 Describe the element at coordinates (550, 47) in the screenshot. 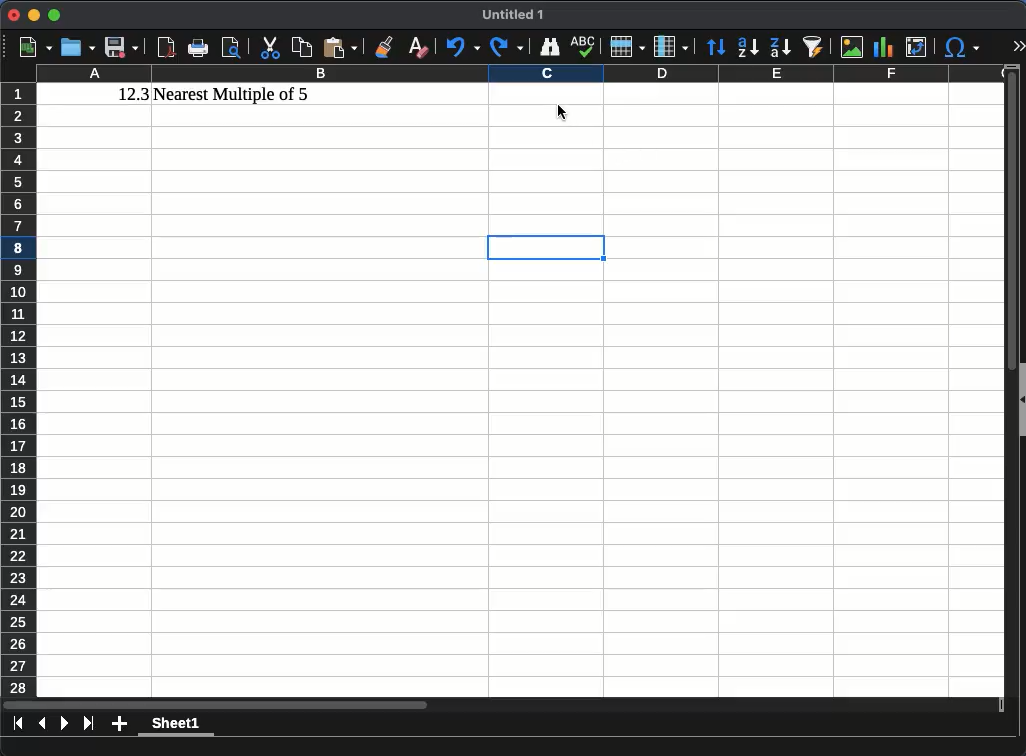

I see `finder` at that location.